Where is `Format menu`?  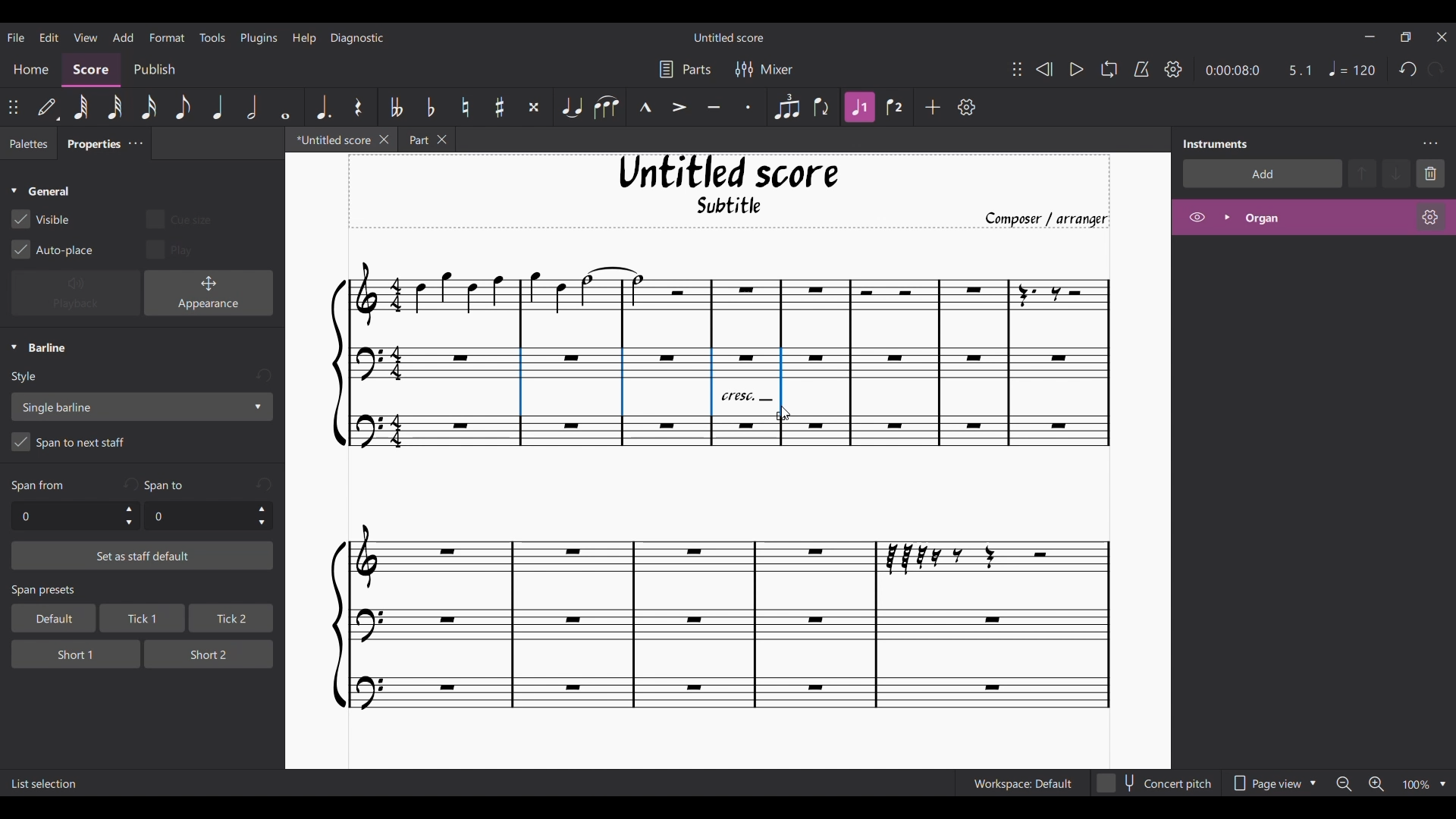 Format menu is located at coordinates (168, 36).